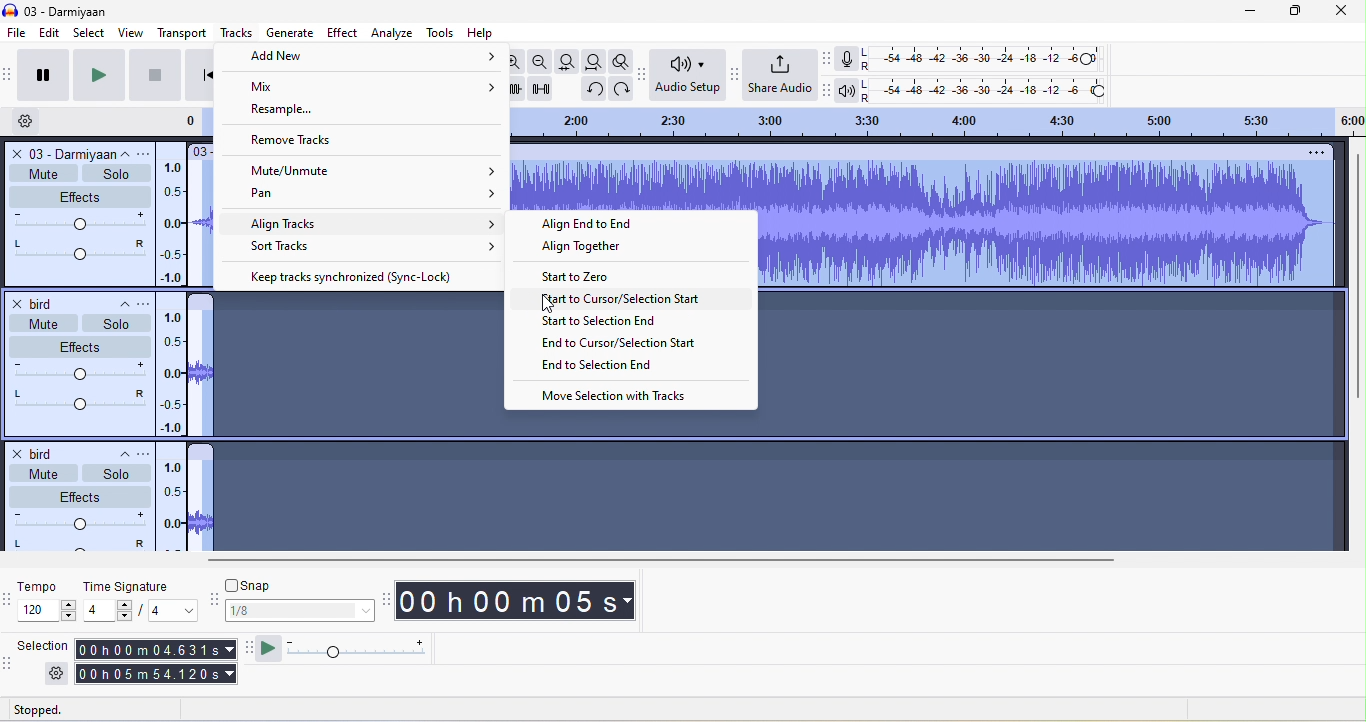  I want to click on effect, so click(78, 196).